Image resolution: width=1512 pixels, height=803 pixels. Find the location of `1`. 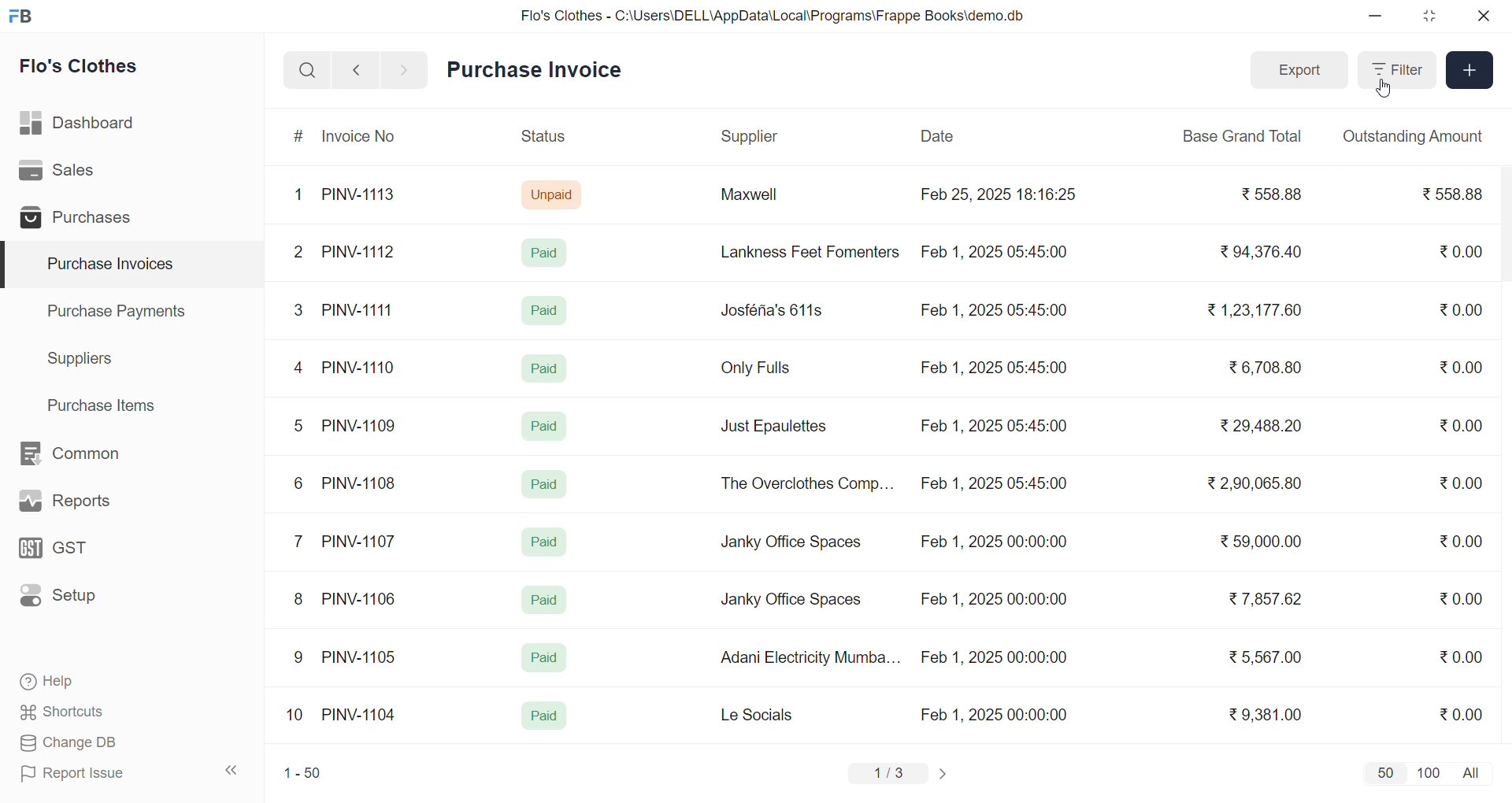

1 is located at coordinates (302, 195).